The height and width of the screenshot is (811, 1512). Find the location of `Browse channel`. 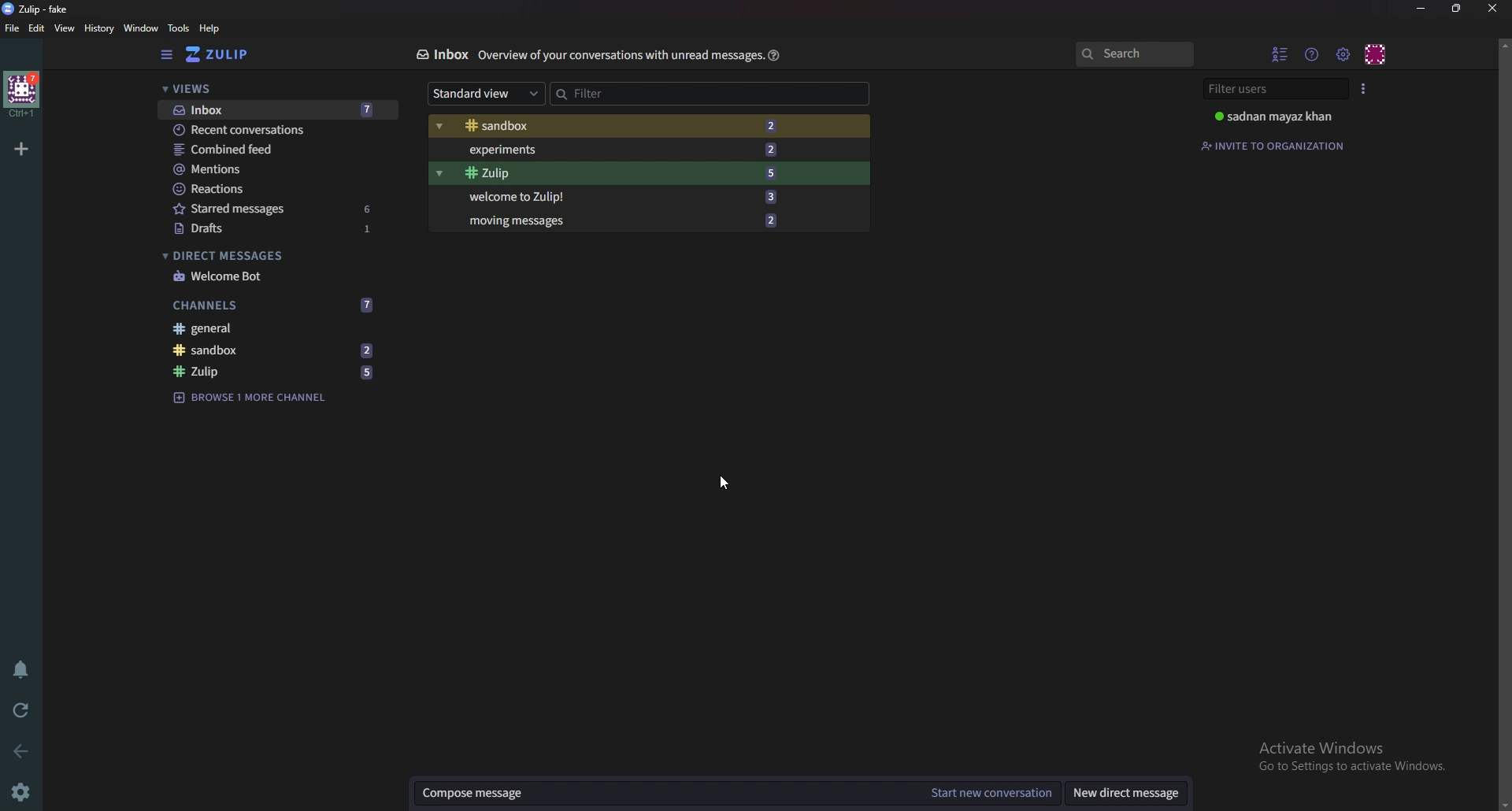

Browse channel is located at coordinates (254, 398).